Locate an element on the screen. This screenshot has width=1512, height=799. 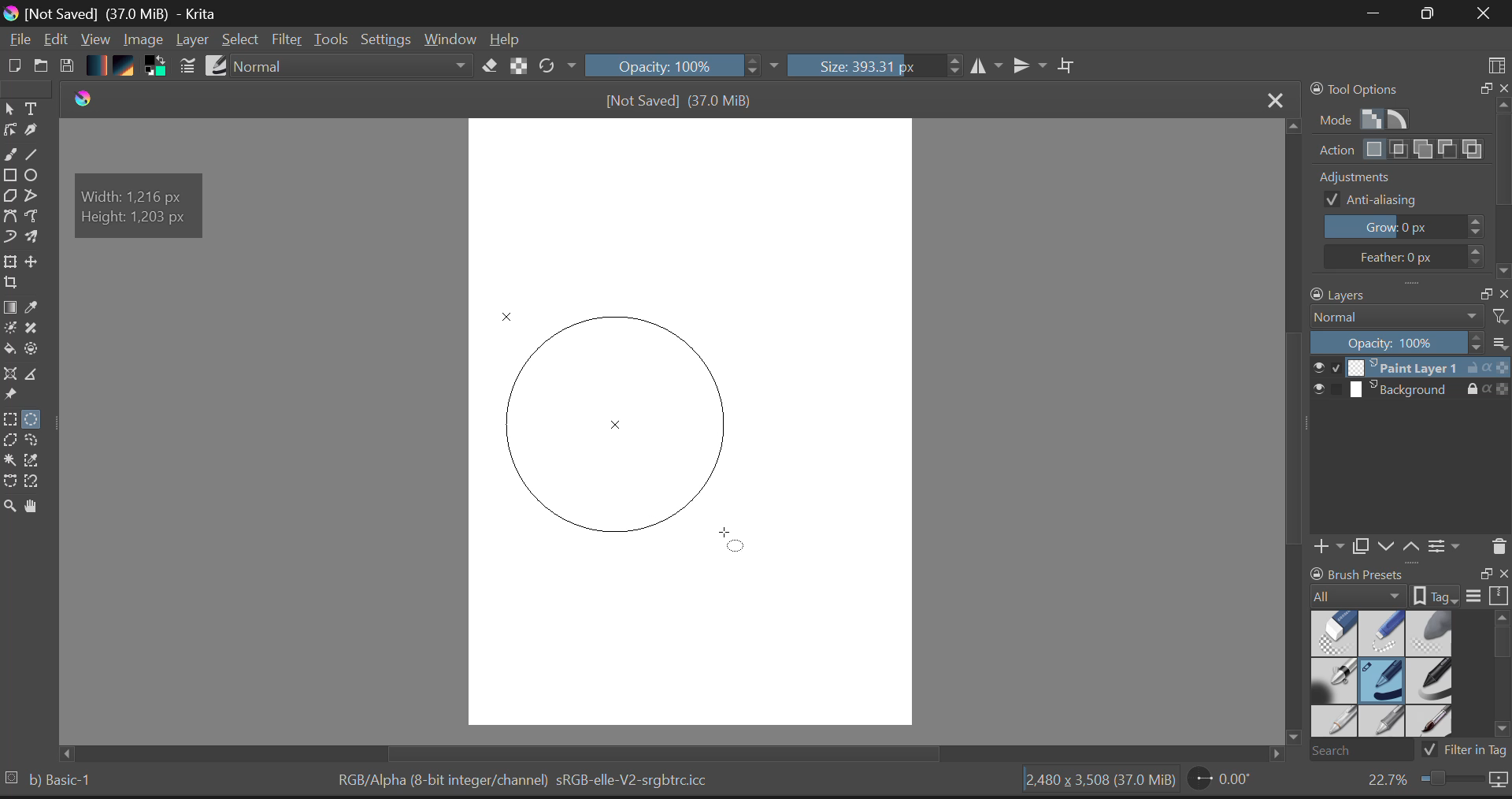
Circular Selection Selected is located at coordinates (34, 416).